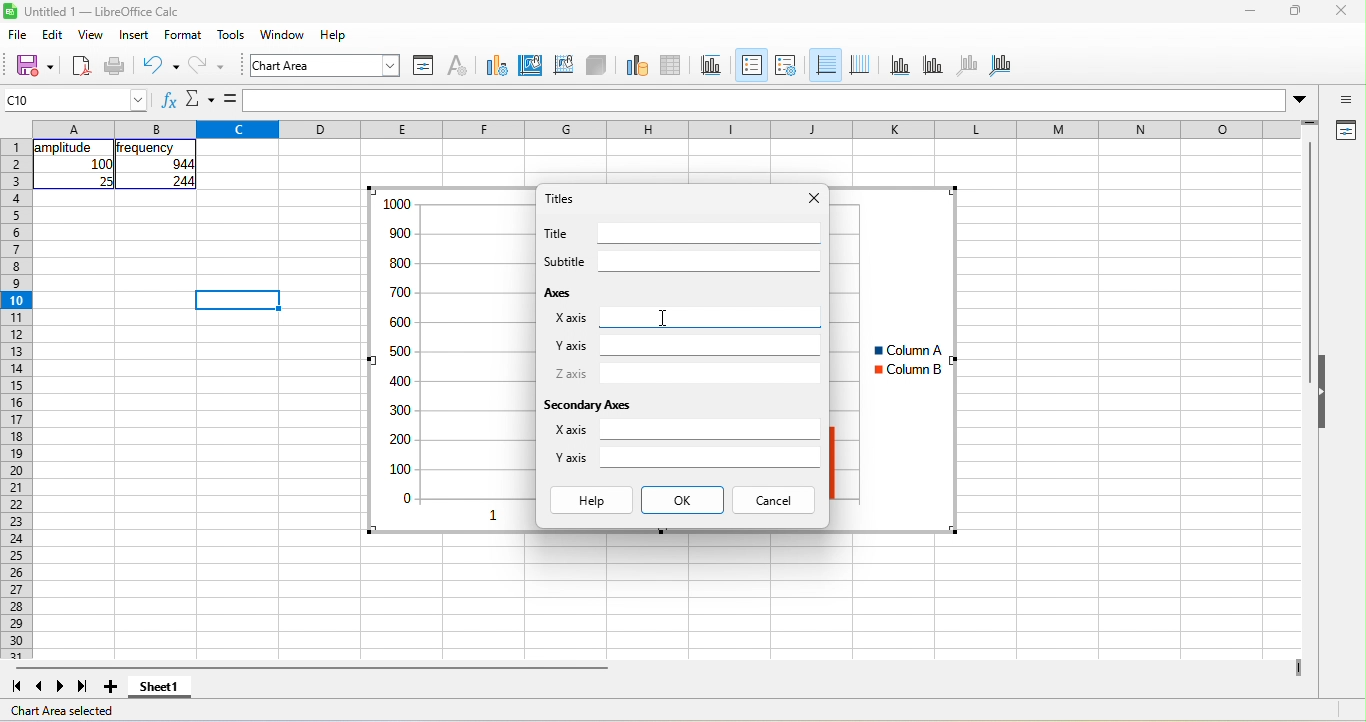  I want to click on help, so click(334, 34).